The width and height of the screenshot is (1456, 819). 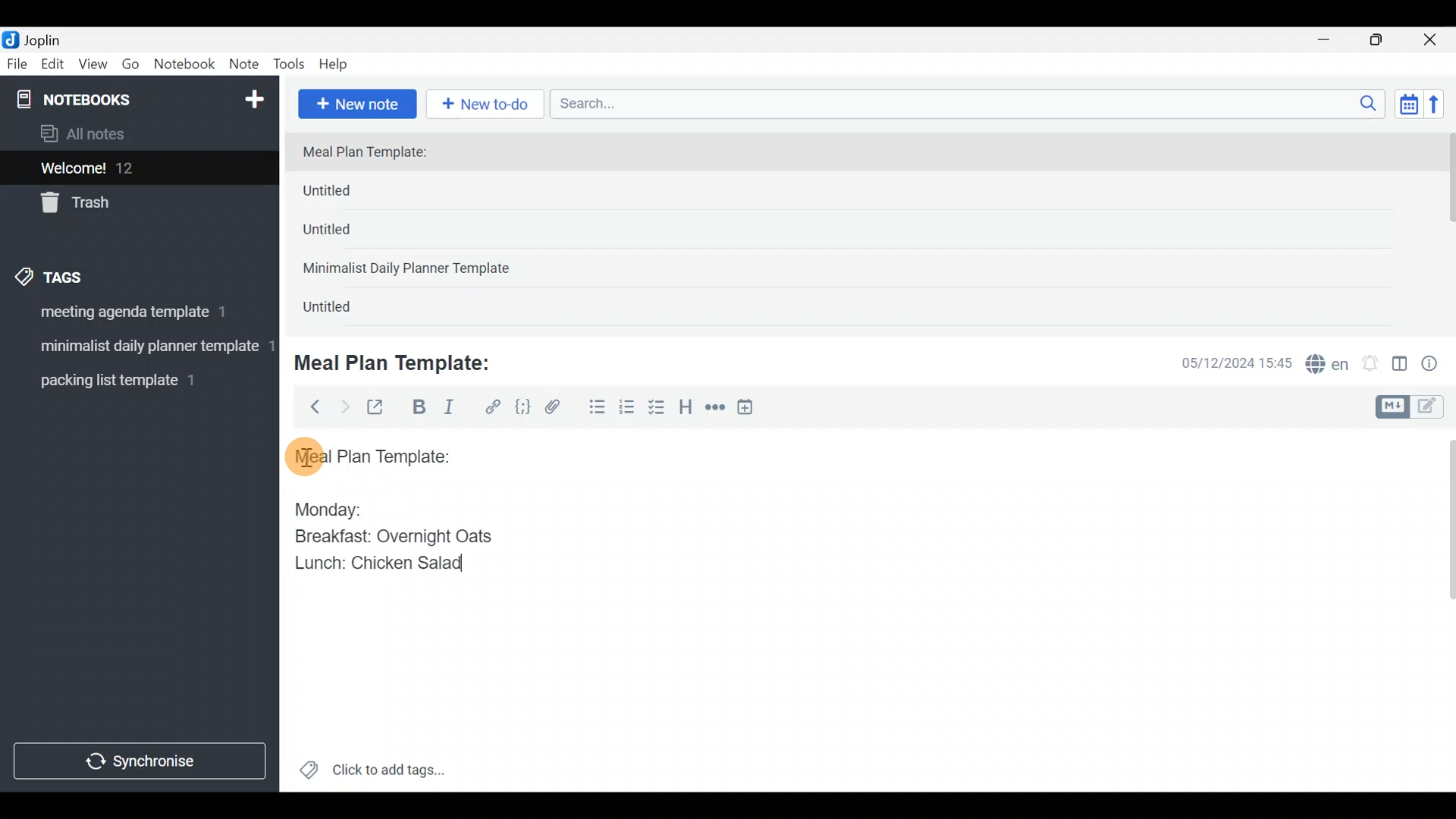 I want to click on Breakfast: Overnight Oats, so click(x=391, y=538).